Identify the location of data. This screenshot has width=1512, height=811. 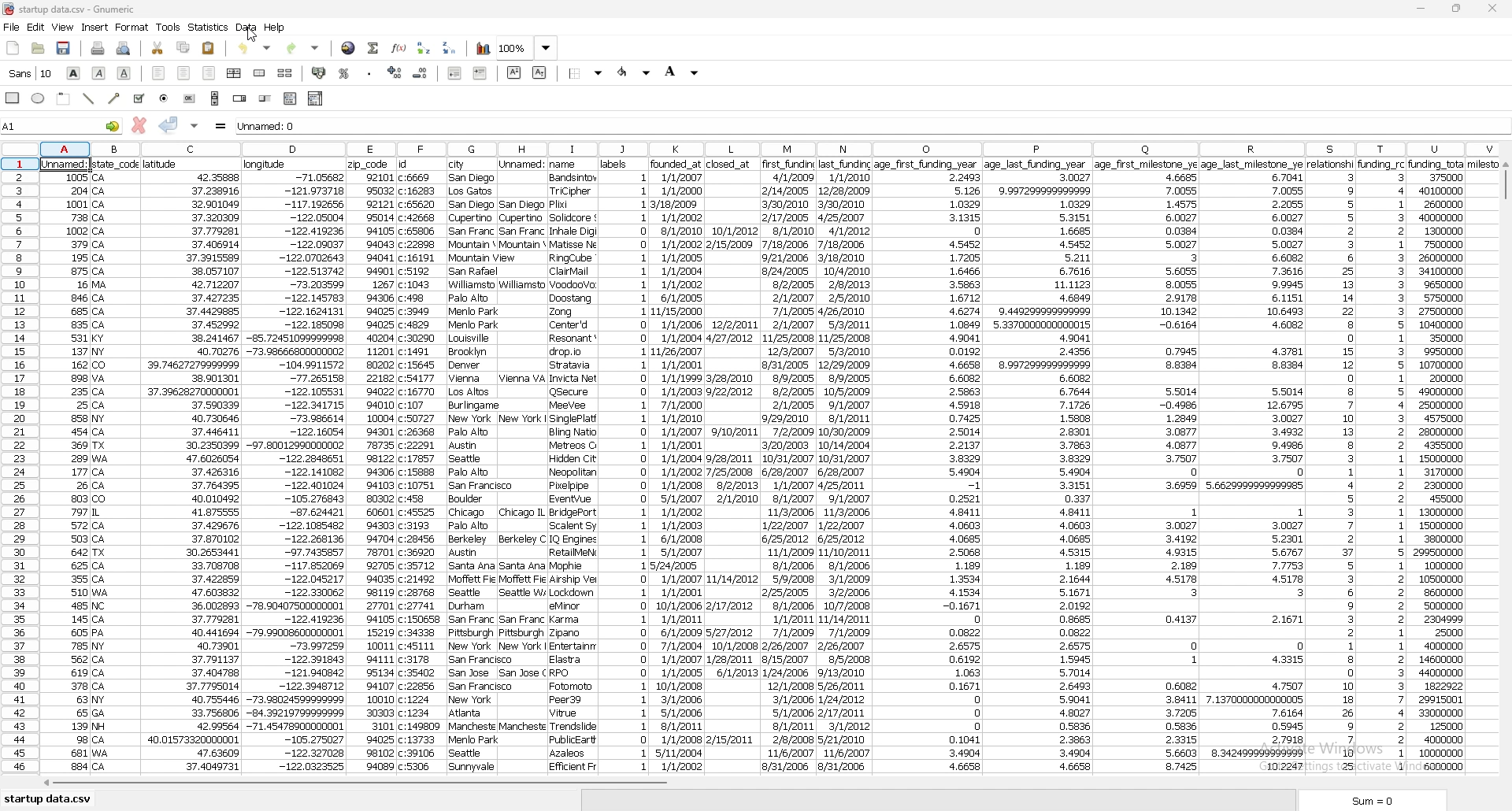
(626, 465).